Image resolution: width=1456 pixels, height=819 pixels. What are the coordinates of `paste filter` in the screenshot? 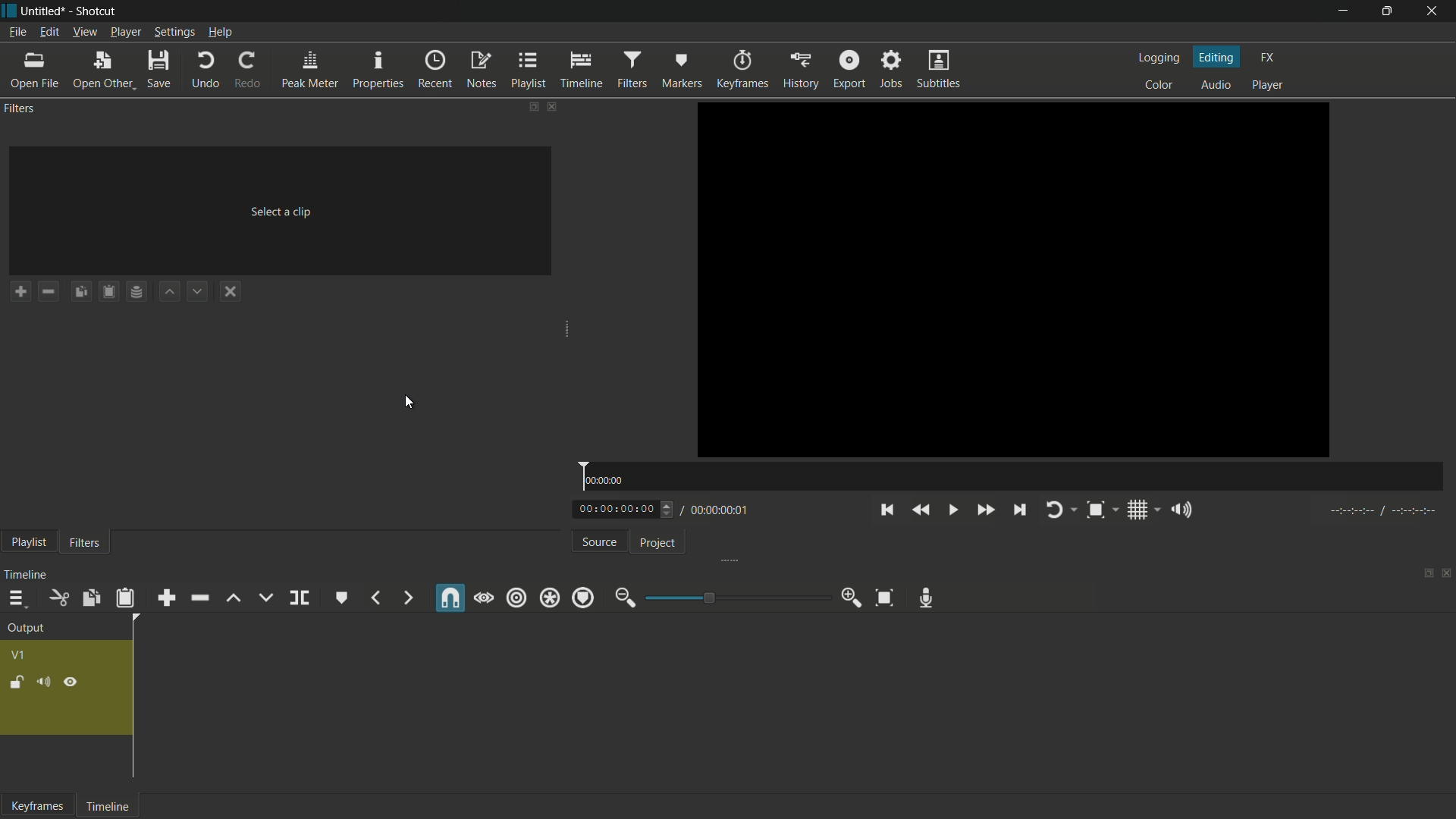 It's located at (108, 292).